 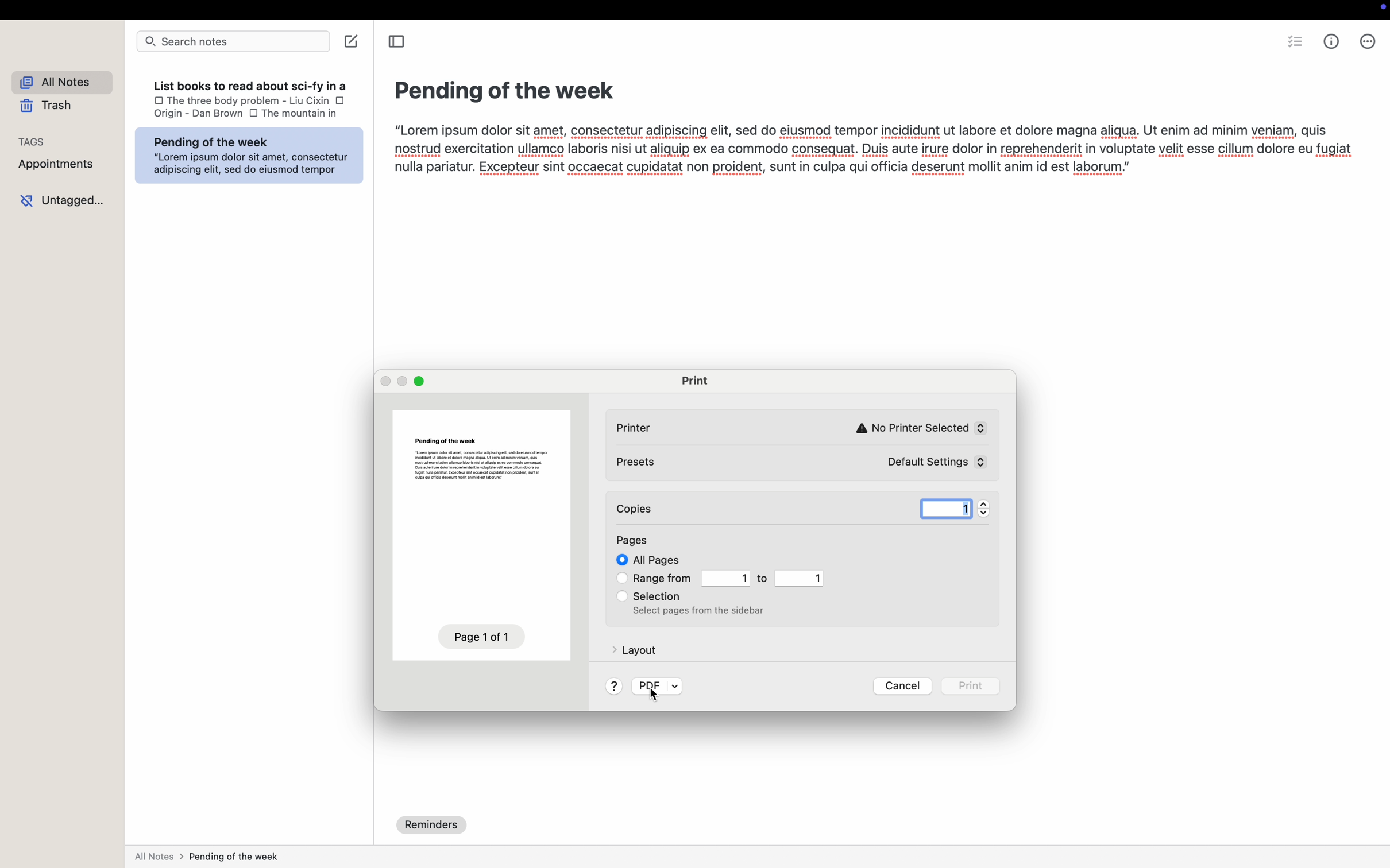 What do you see at coordinates (1331, 44) in the screenshot?
I see `metrics` at bounding box center [1331, 44].